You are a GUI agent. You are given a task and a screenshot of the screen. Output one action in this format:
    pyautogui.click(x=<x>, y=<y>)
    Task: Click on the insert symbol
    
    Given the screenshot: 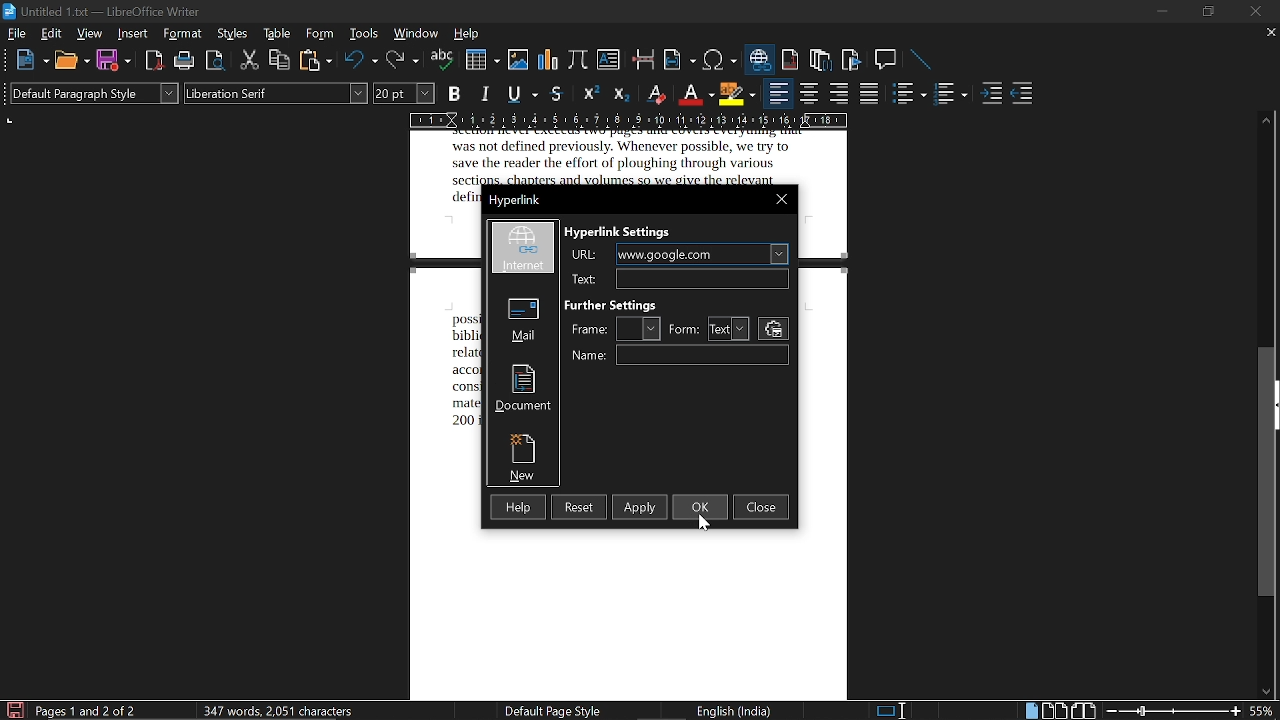 What is the action you would take?
    pyautogui.click(x=719, y=61)
    